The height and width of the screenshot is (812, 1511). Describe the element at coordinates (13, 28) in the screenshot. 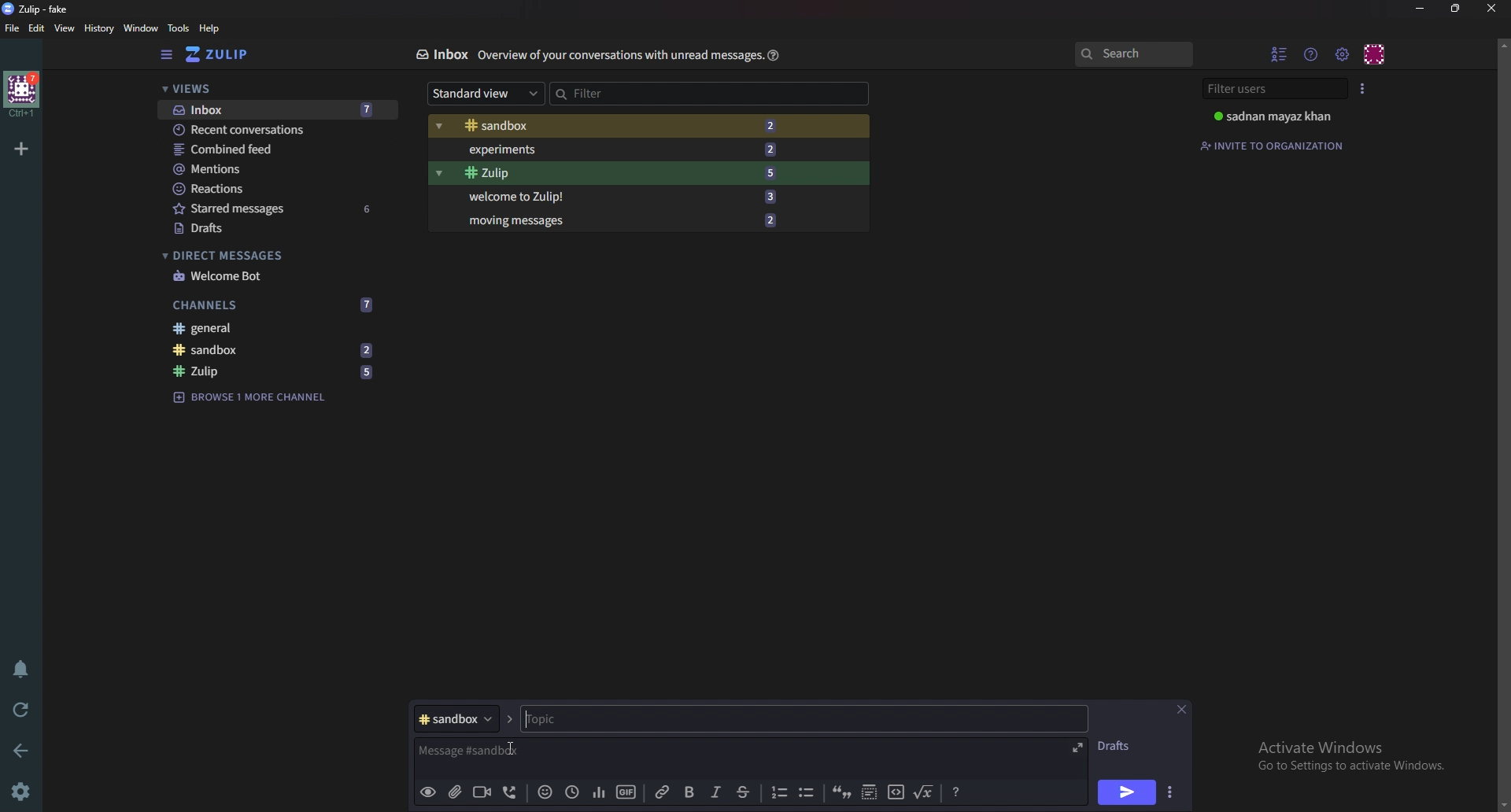

I see `File` at that location.